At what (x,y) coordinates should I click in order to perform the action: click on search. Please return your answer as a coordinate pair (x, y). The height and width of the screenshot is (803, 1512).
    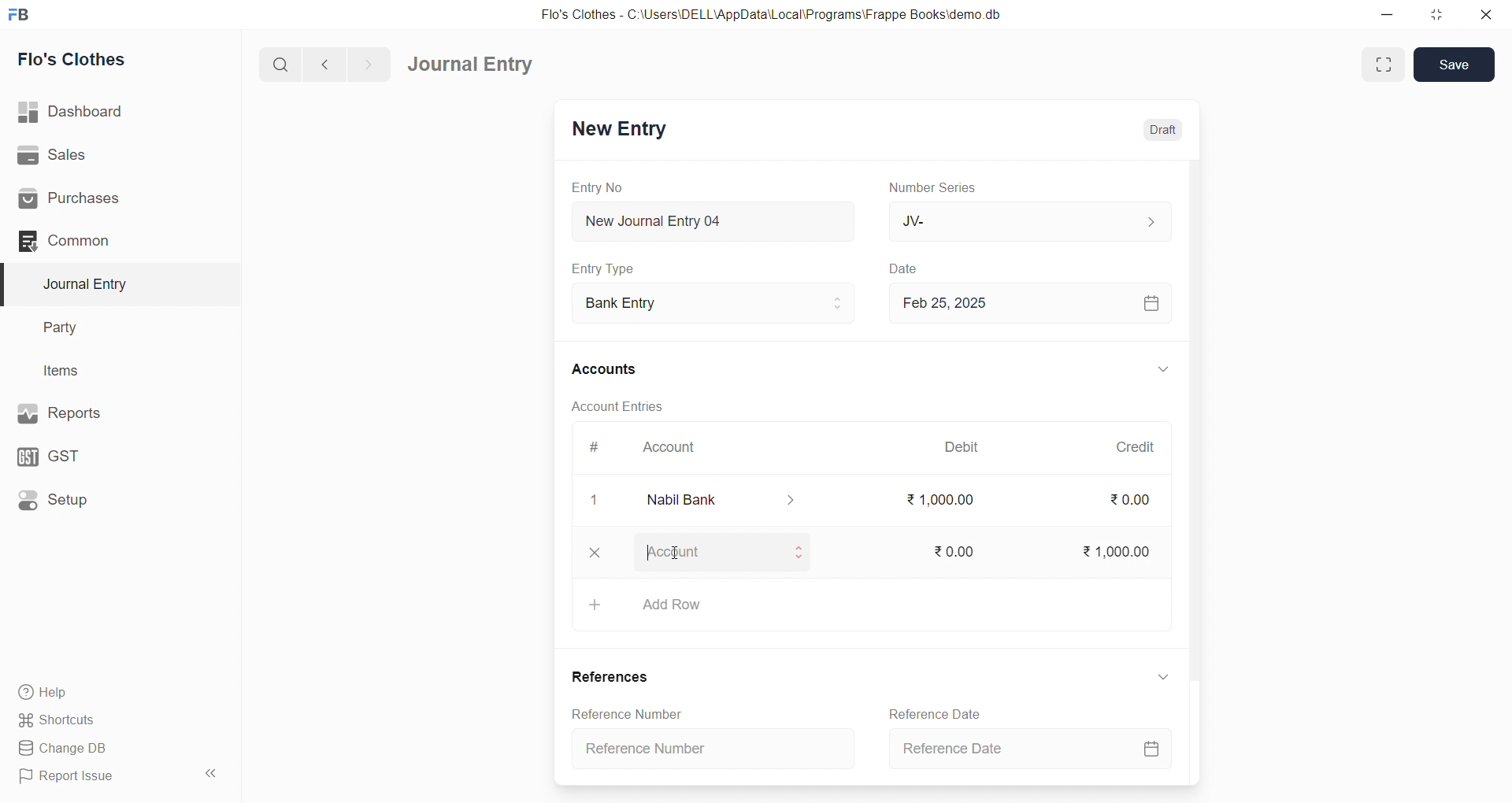
    Looking at the image, I should click on (283, 63).